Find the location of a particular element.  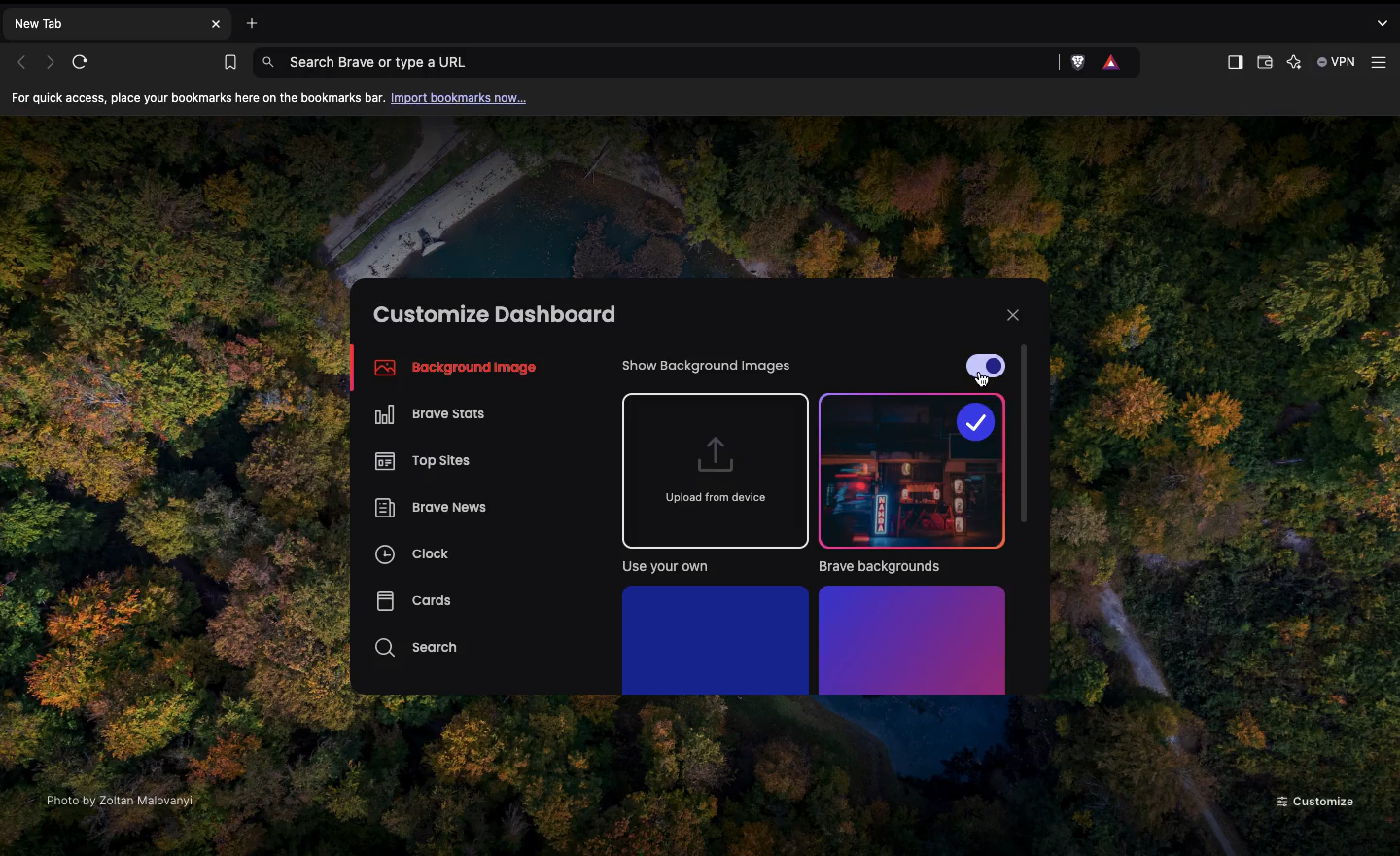

Brave news is located at coordinates (429, 510).